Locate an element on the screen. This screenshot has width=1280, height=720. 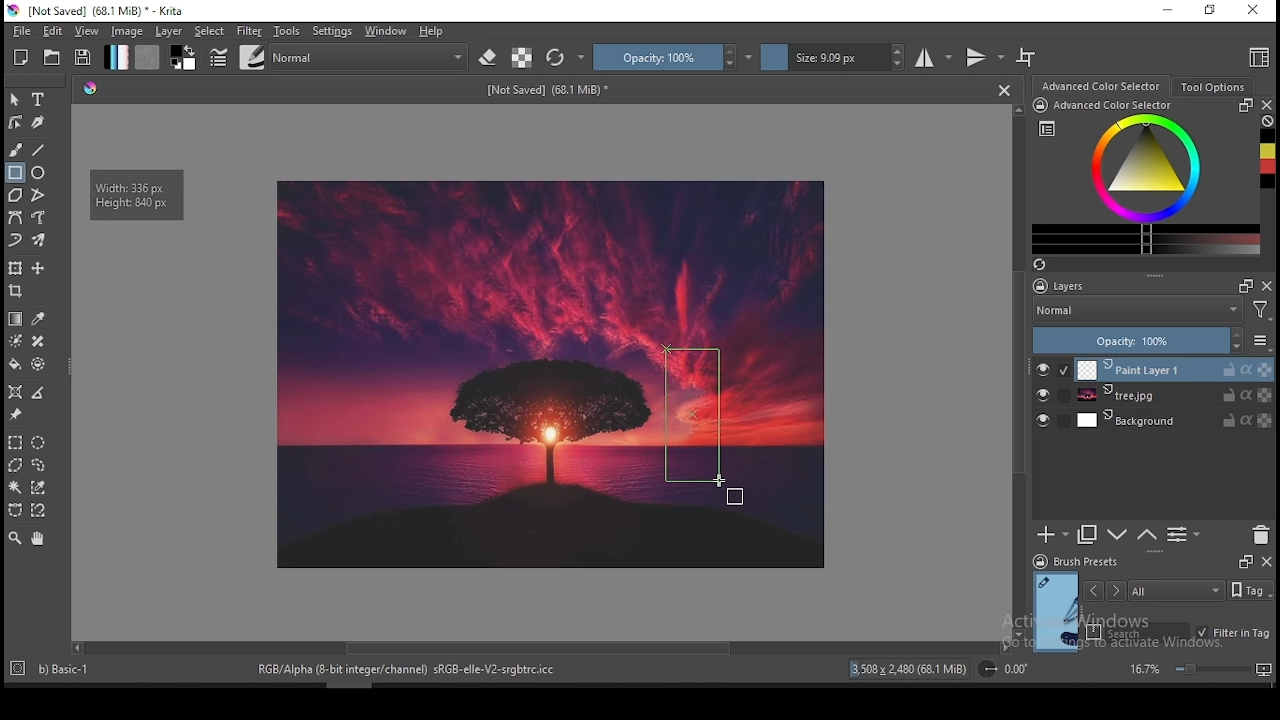
polygon selection tool is located at coordinates (12, 465).